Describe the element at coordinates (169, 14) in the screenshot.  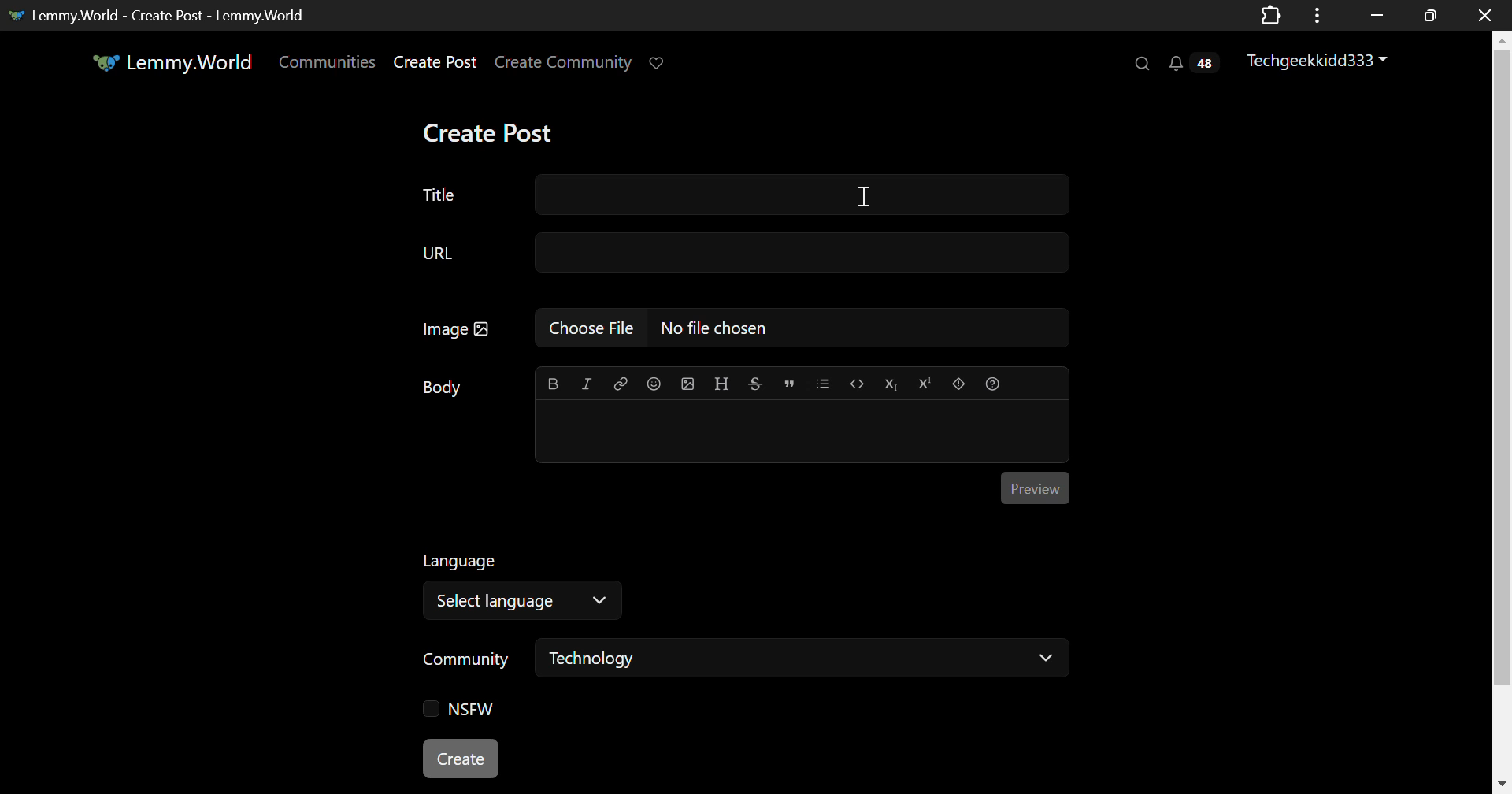
I see `Lemmy.World - Create Post - Lemmy.World` at that location.